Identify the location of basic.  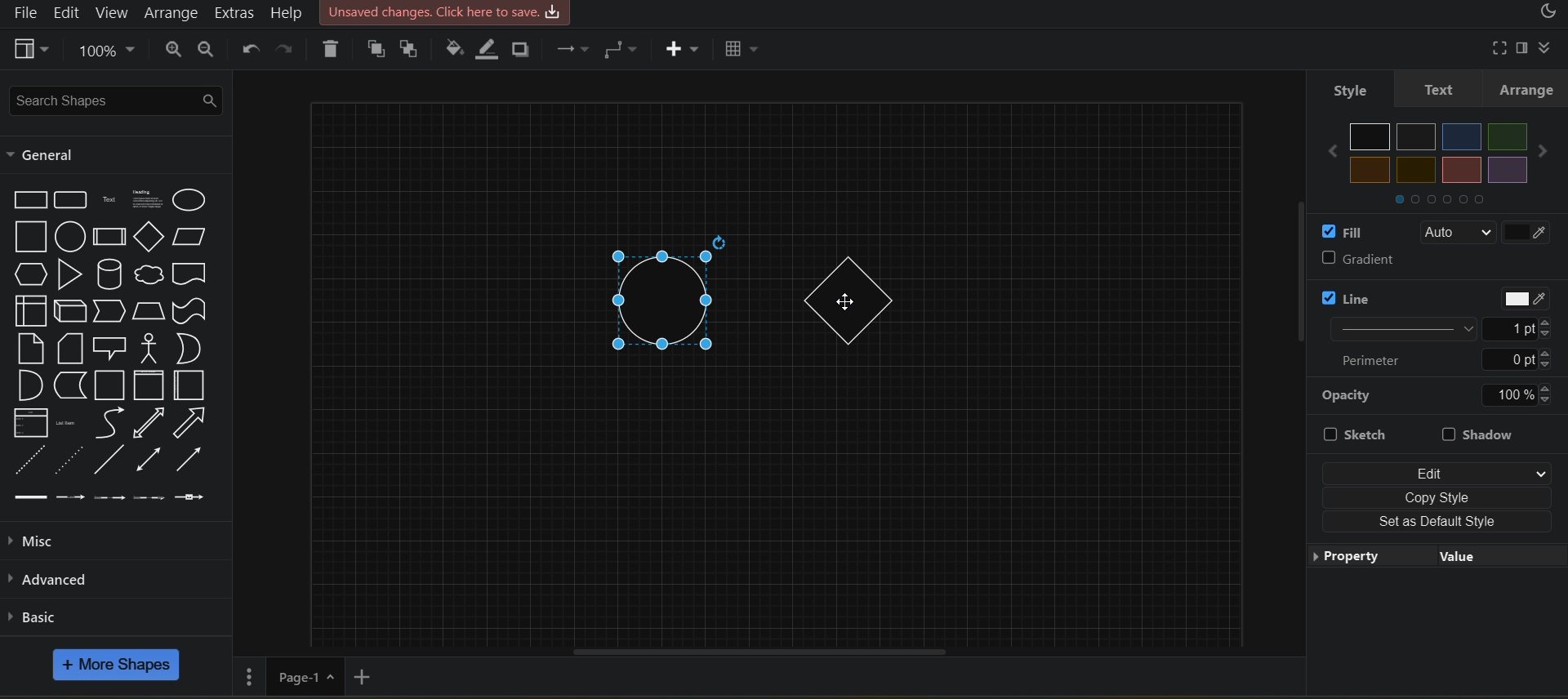
(118, 621).